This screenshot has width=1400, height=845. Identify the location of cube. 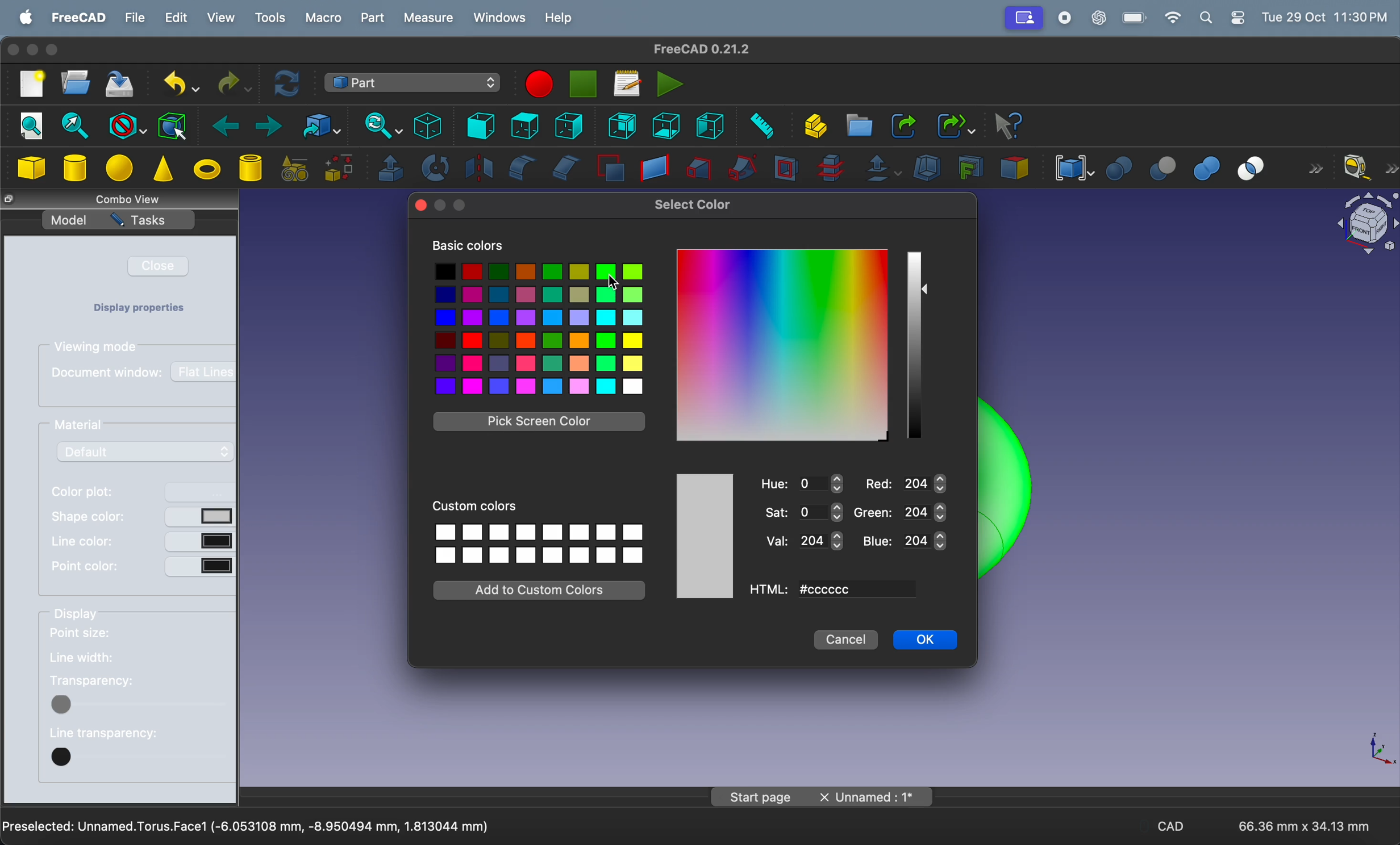
(34, 168).